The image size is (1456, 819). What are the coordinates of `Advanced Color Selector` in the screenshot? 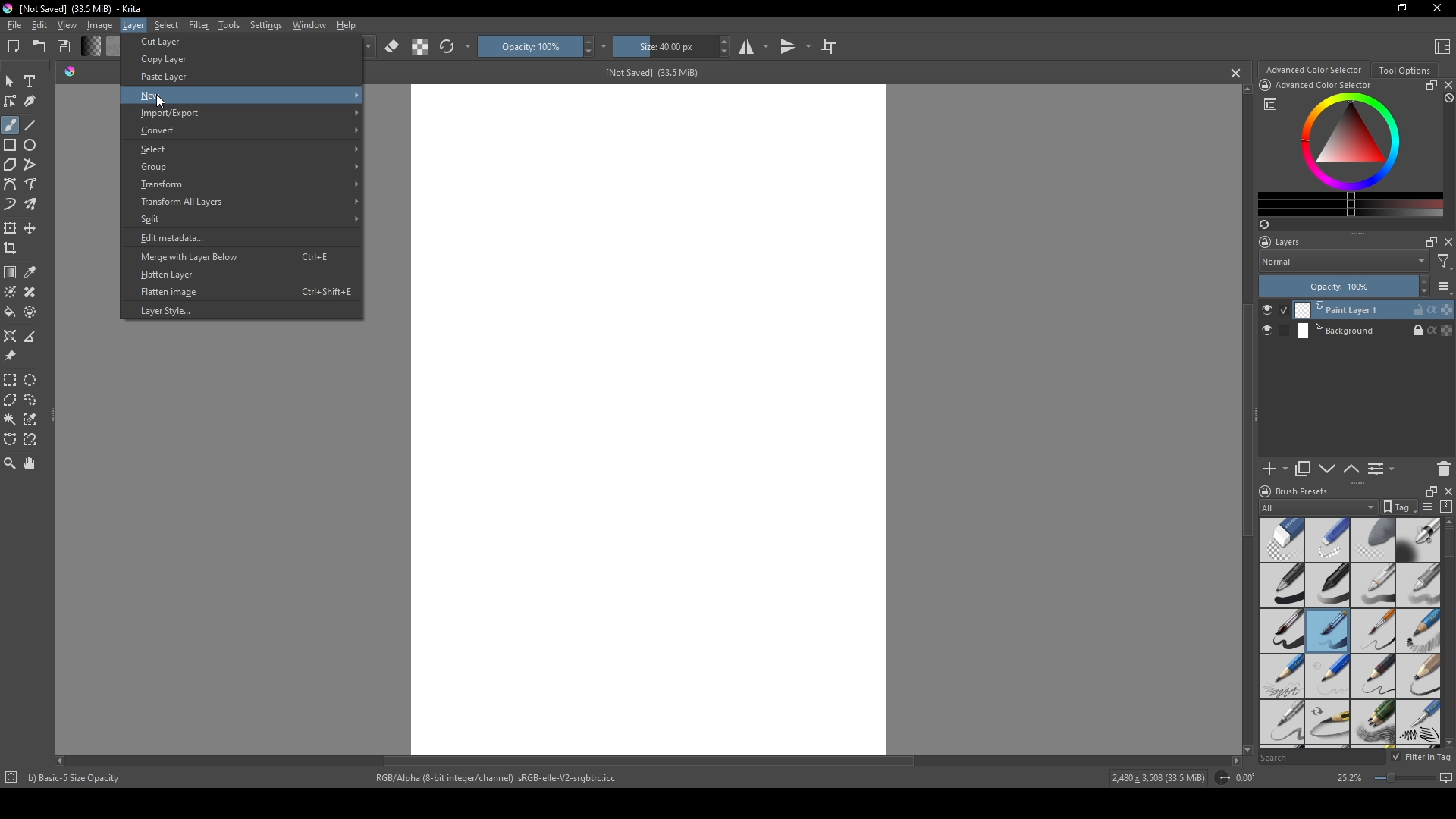 It's located at (1324, 86).